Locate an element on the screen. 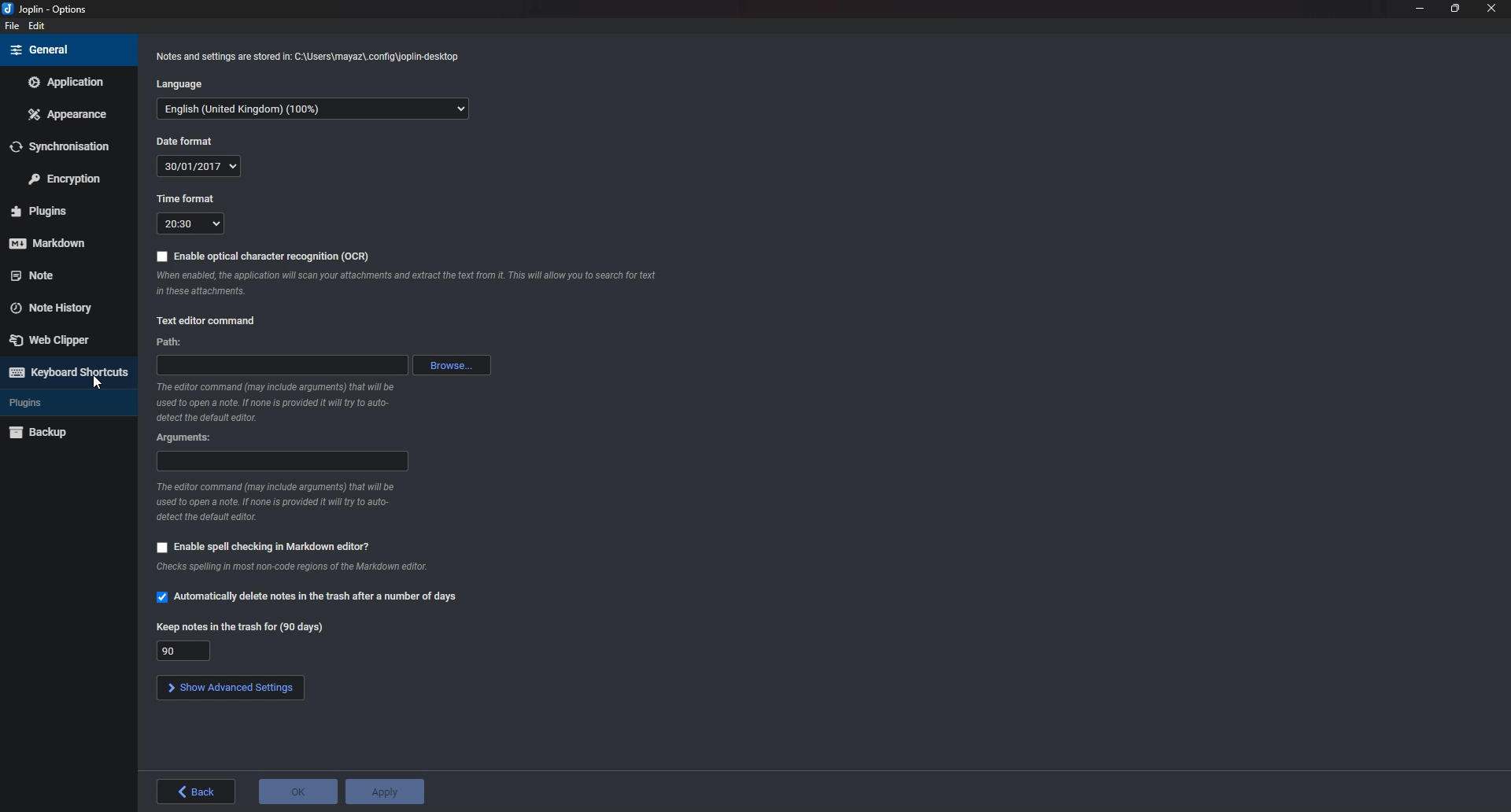 The width and height of the screenshot is (1511, 812). enable O C R is located at coordinates (263, 258).